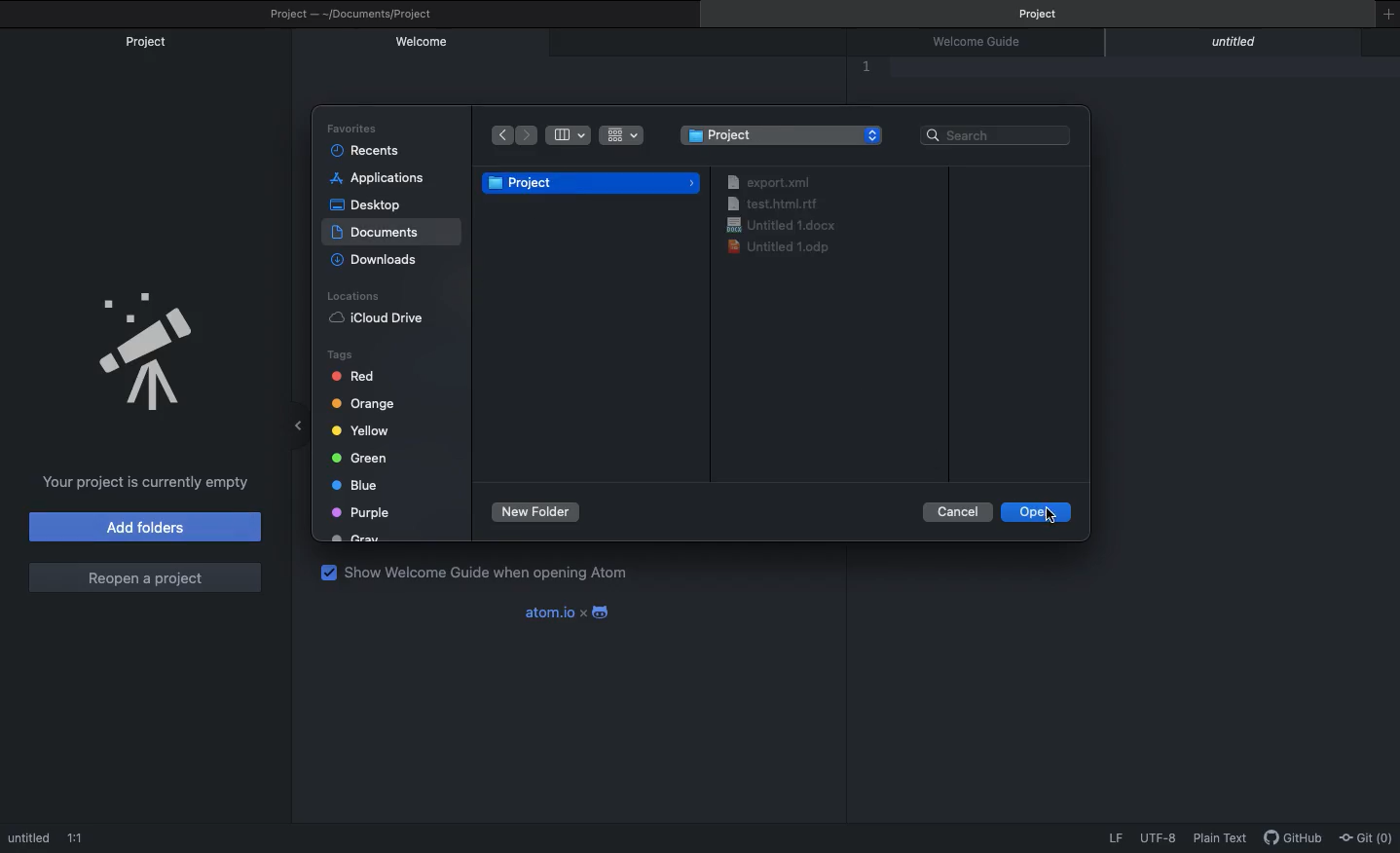 The height and width of the screenshot is (853, 1400). I want to click on Recents, so click(371, 151).